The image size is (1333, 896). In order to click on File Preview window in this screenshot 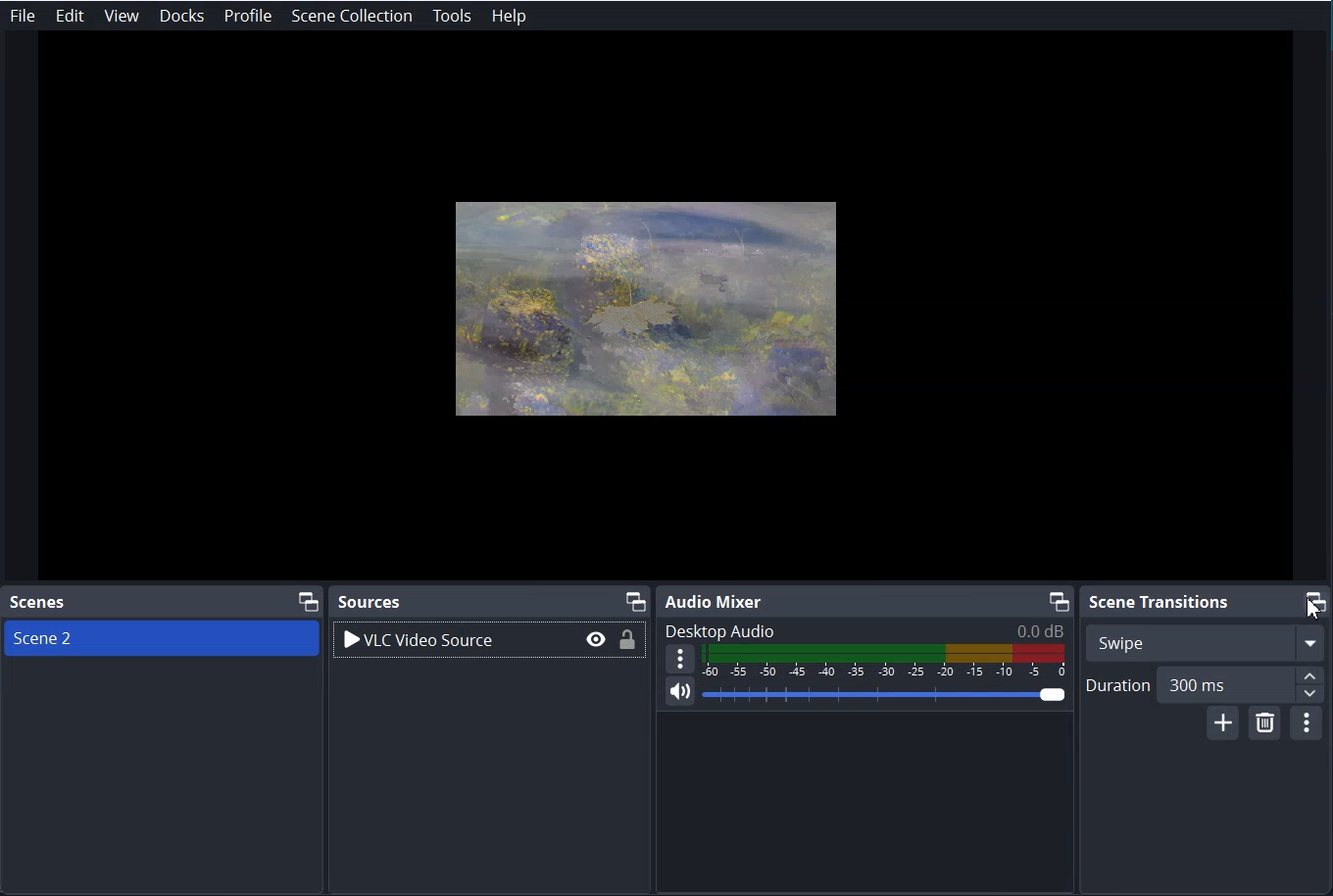, I will do `click(648, 303)`.